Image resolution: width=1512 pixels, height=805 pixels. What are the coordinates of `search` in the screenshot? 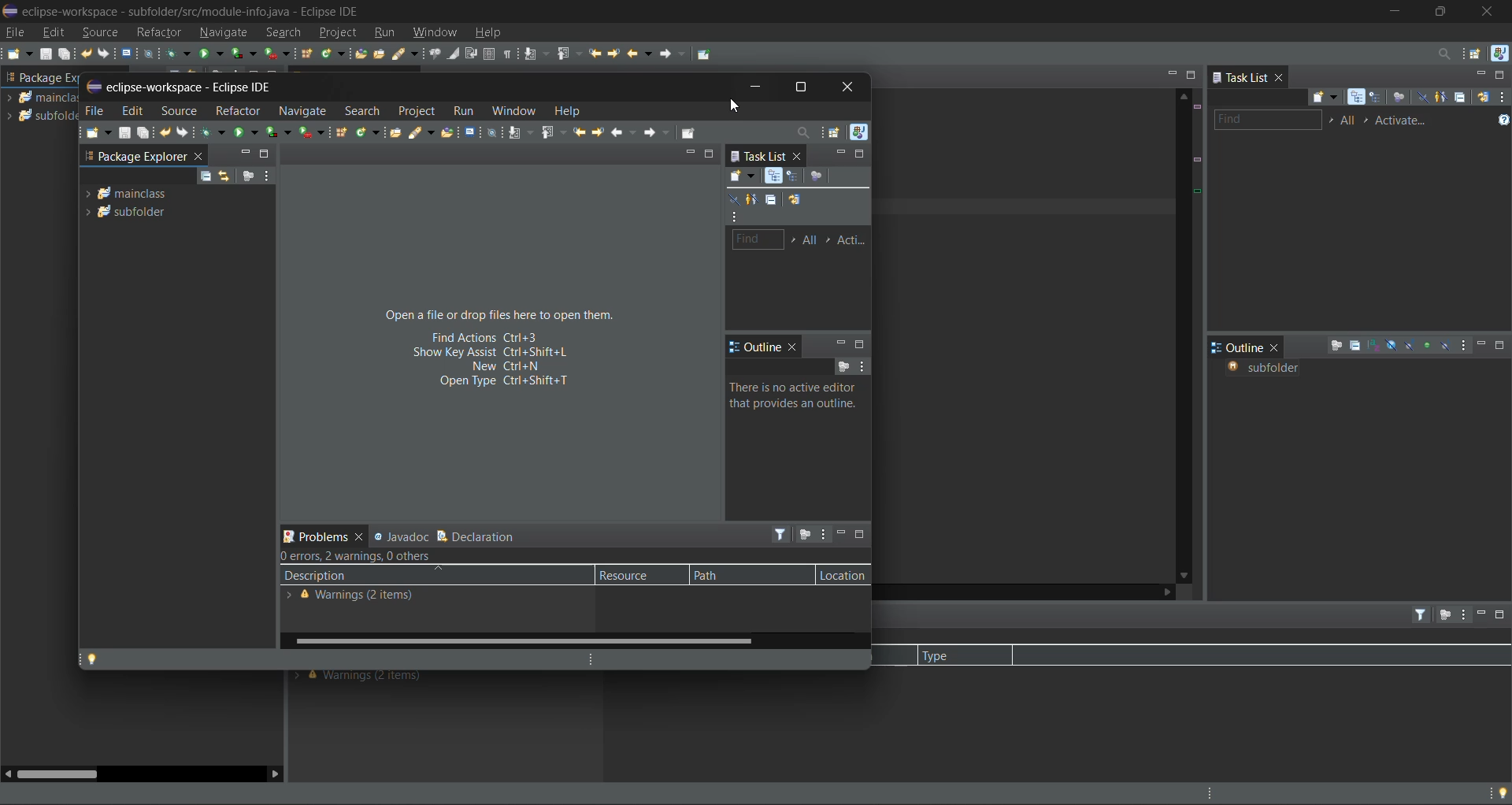 It's located at (406, 54).